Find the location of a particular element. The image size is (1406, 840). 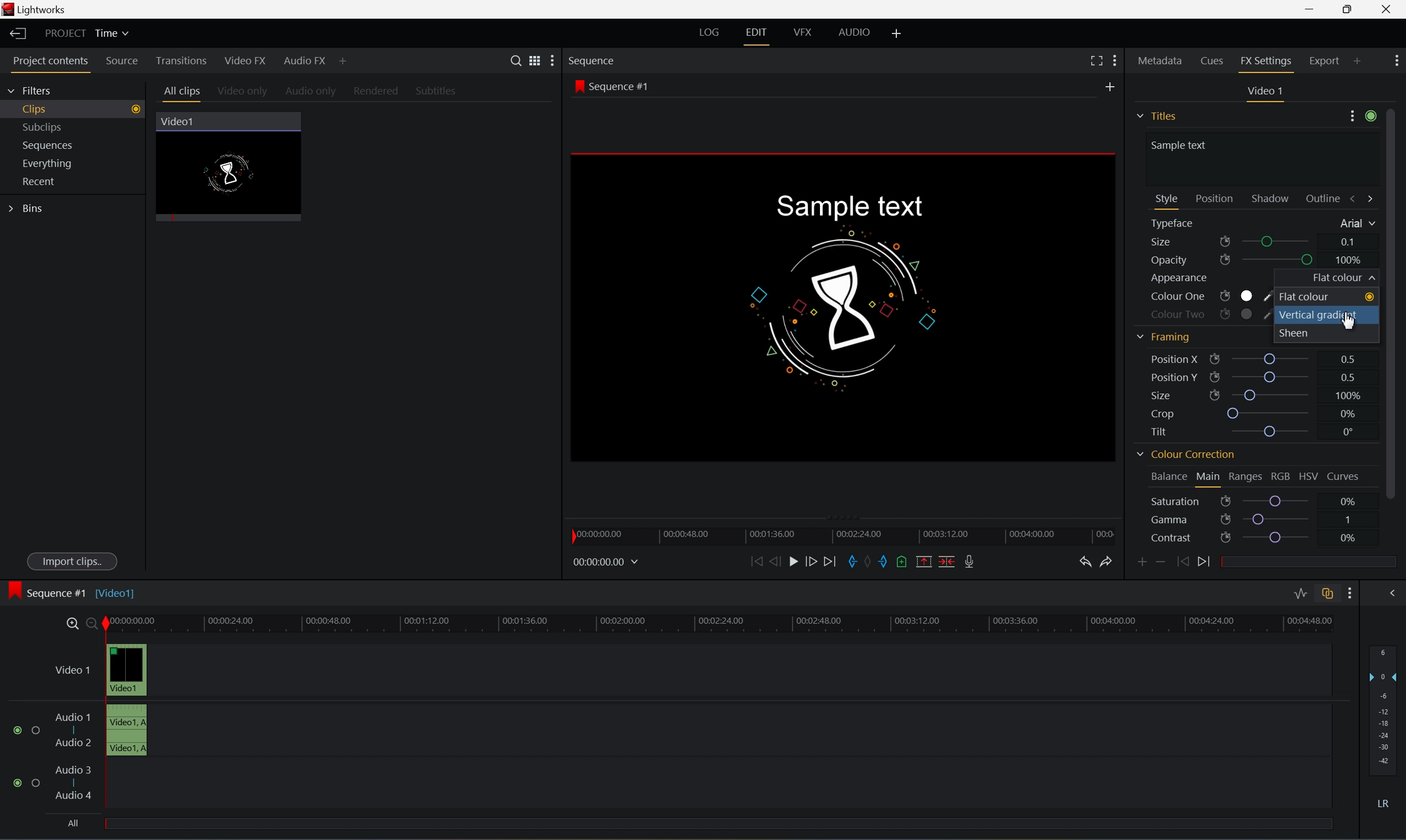

colour one is located at coordinates (1207, 297).